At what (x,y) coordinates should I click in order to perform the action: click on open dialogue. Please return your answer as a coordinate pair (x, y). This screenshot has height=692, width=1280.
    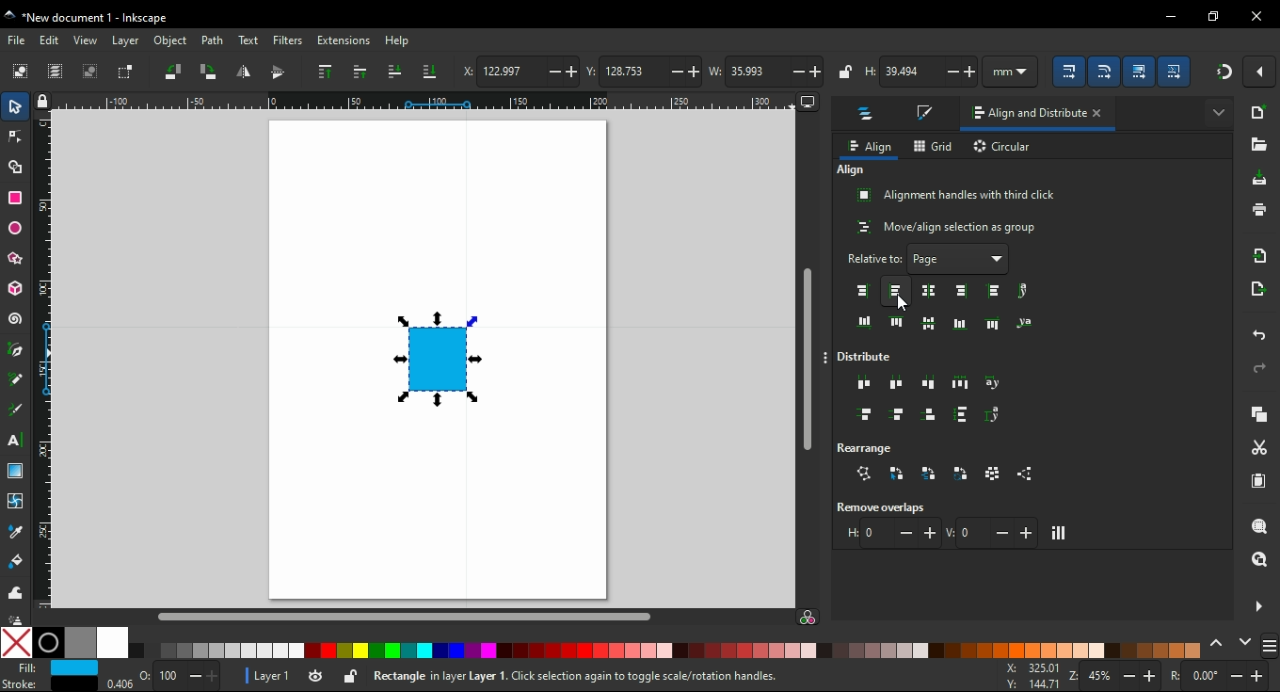
    Looking at the image, I should click on (1256, 146).